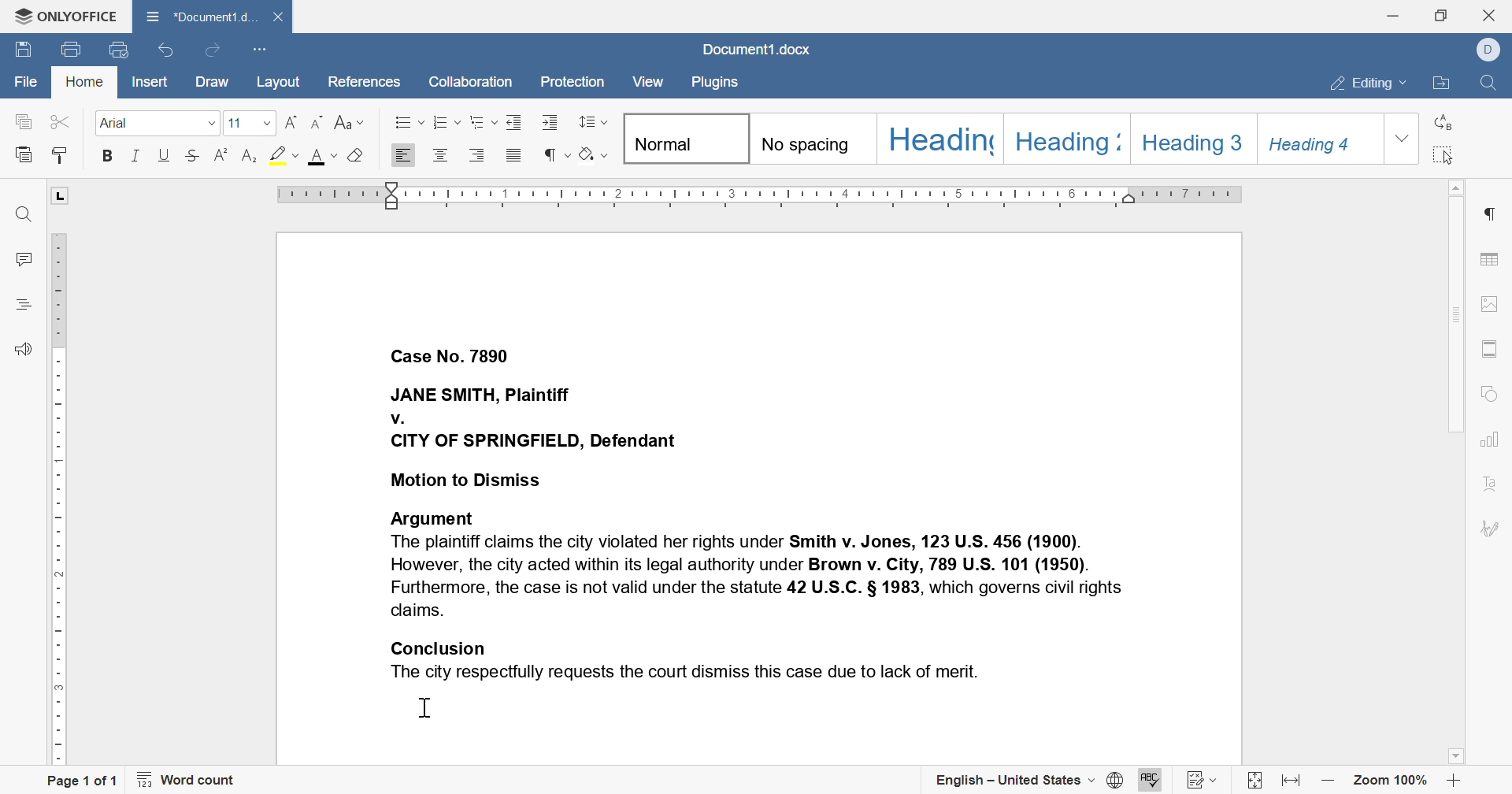 This screenshot has width=1512, height=794. Describe the element at coordinates (187, 777) in the screenshot. I see `word count` at that location.